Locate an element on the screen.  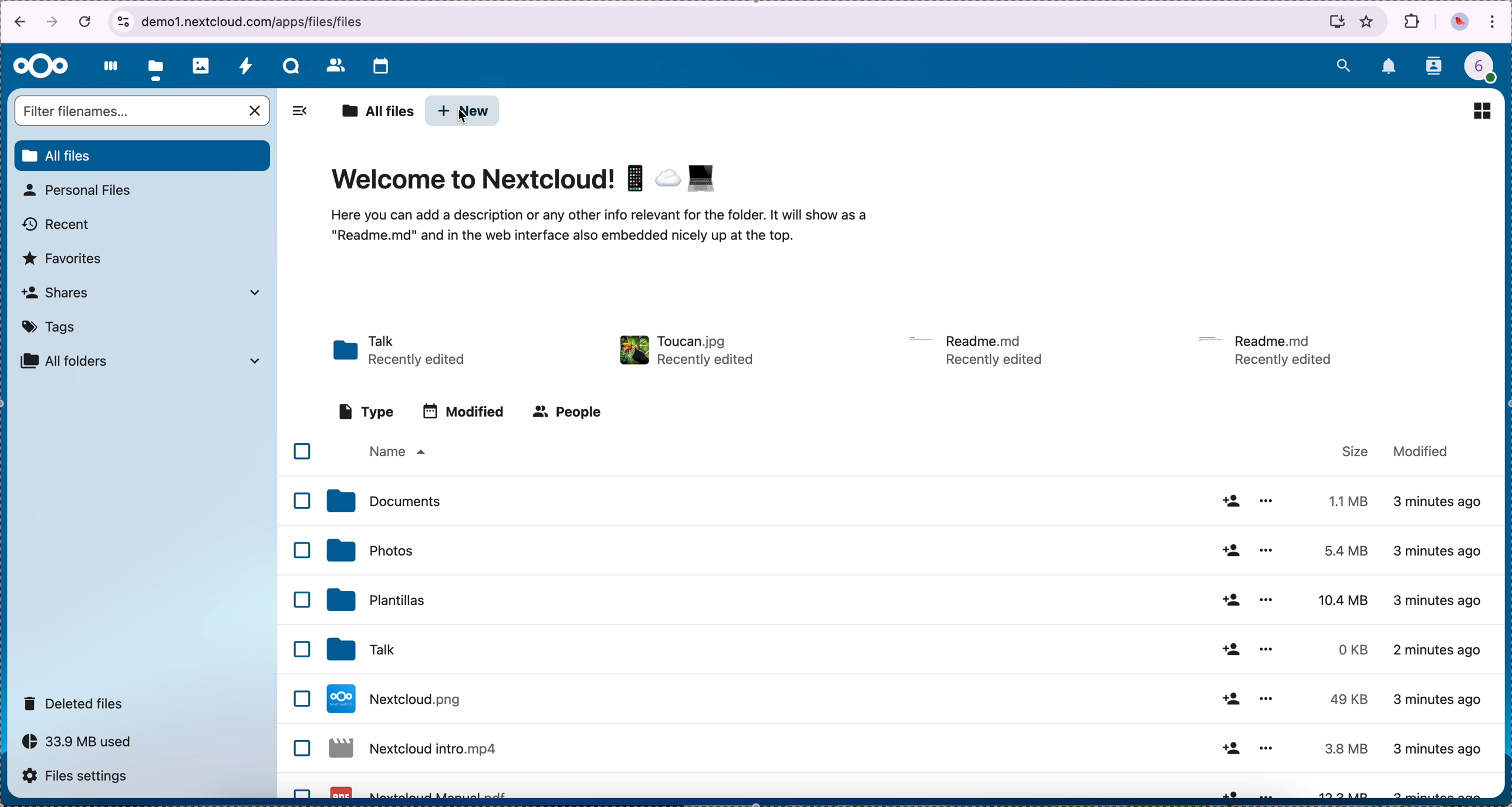
photos is located at coordinates (201, 66).